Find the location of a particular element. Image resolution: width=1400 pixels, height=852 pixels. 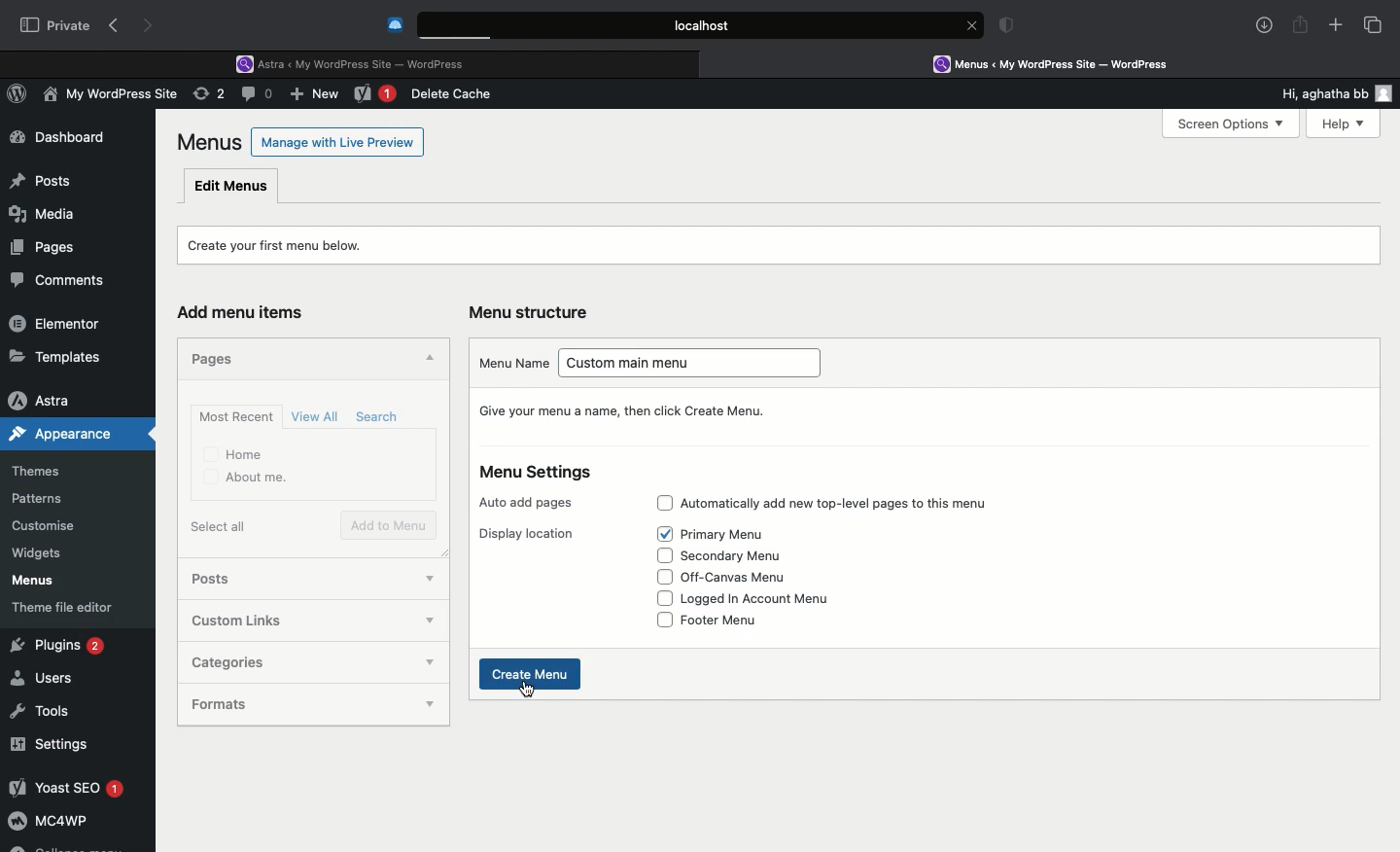

user icon is located at coordinates (1387, 93).